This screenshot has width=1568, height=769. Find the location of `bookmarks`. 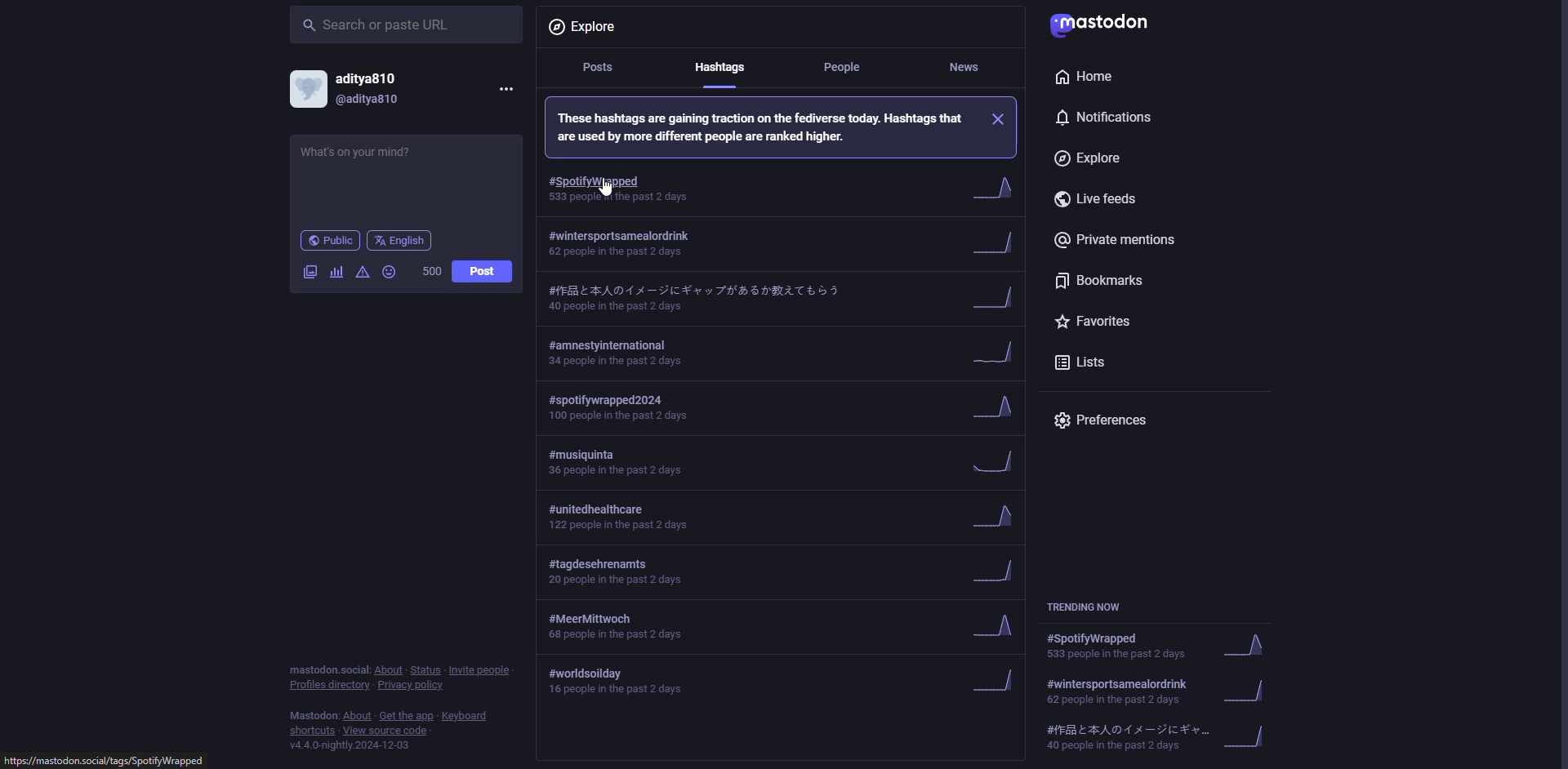

bookmarks is located at coordinates (1102, 279).